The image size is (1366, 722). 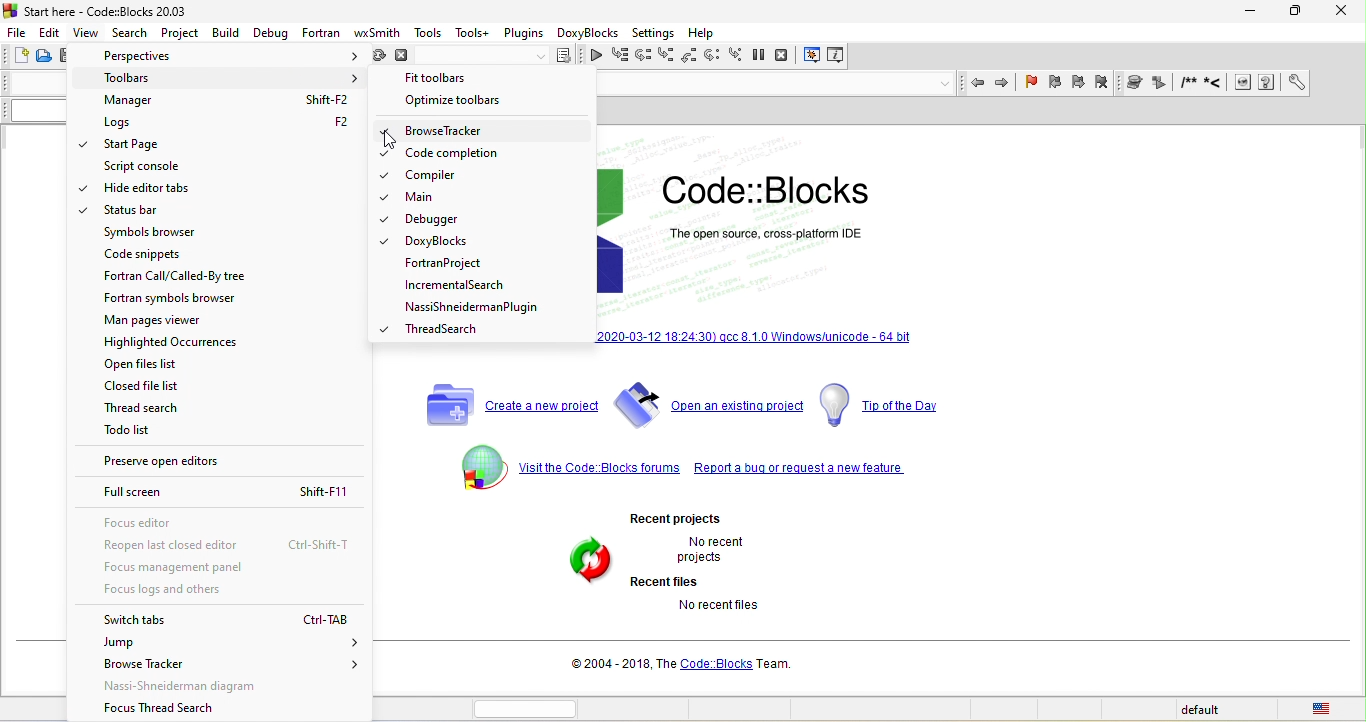 What do you see at coordinates (203, 592) in the screenshot?
I see `focus logs and others` at bounding box center [203, 592].